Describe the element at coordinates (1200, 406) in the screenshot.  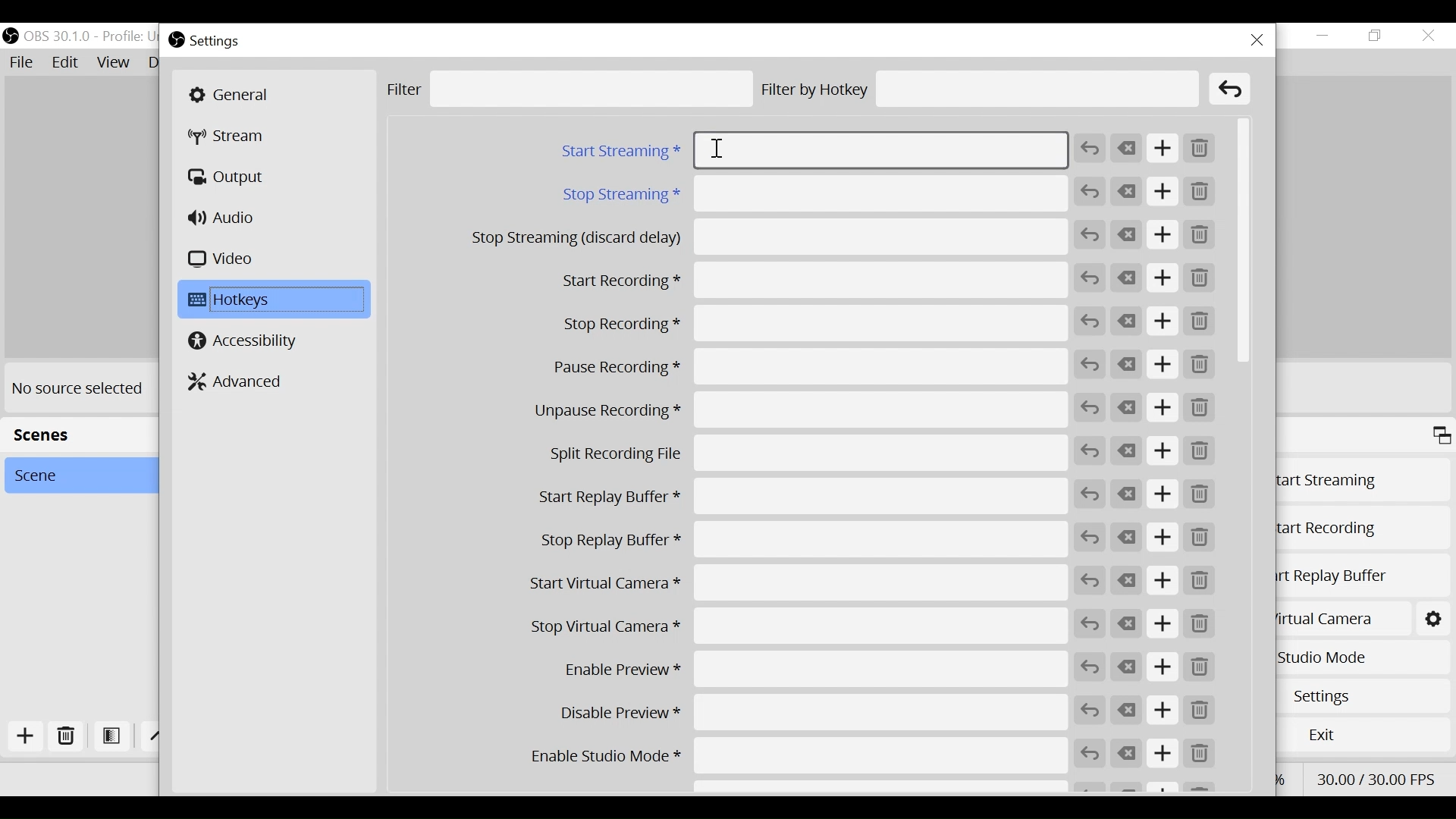
I see `Remove` at that location.